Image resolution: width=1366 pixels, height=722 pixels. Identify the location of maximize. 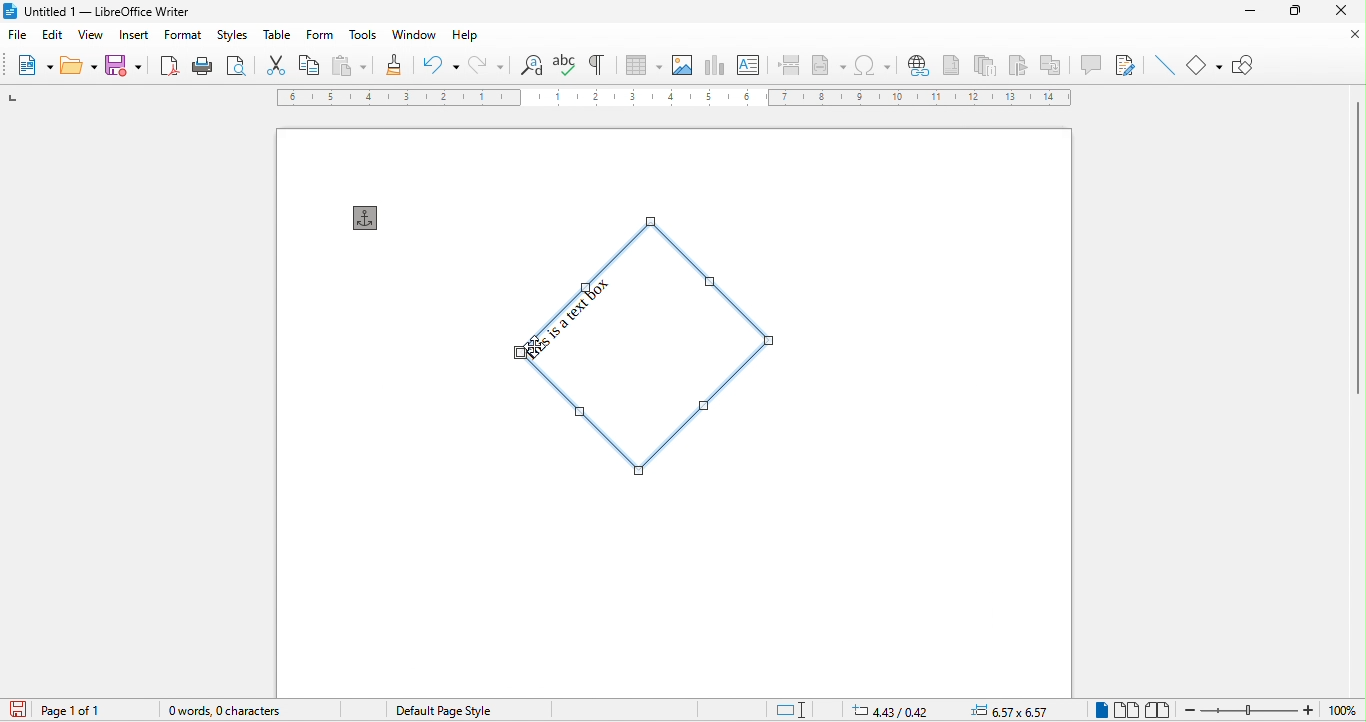
(1295, 10).